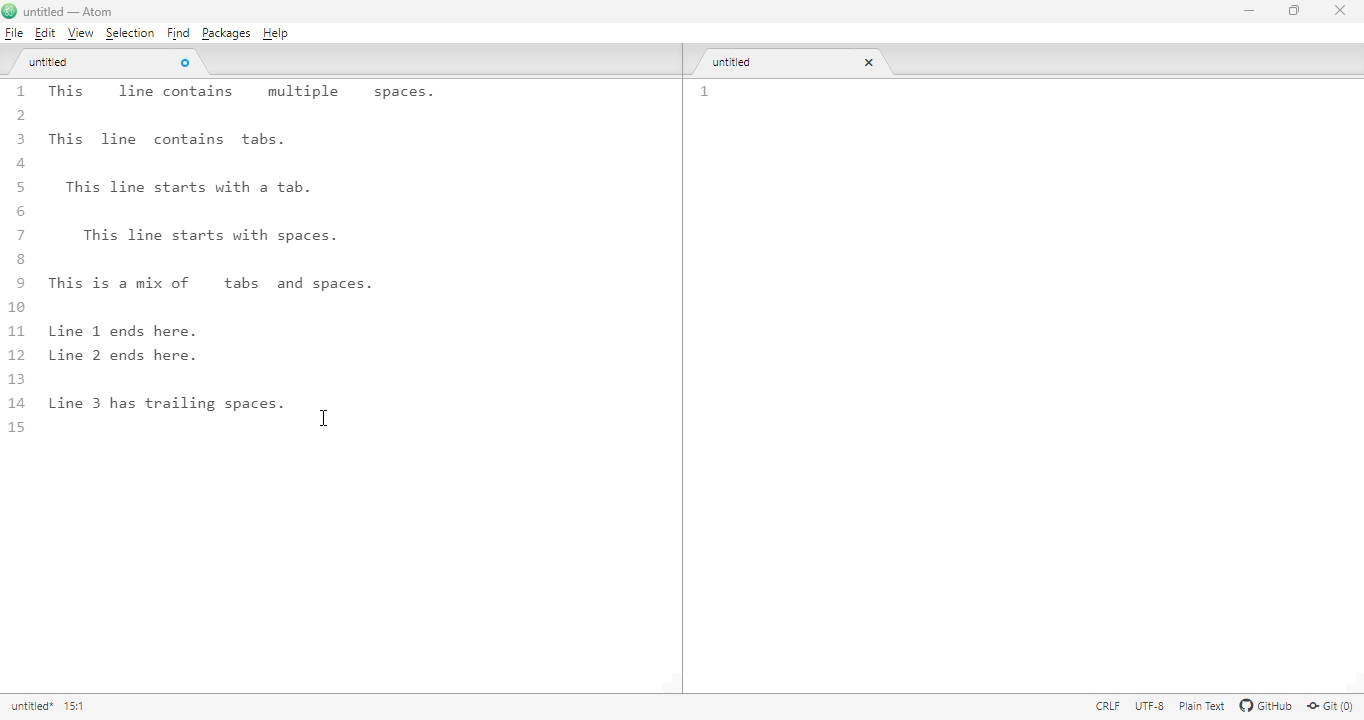 This screenshot has height=720, width=1364. Describe the element at coordinates (1149, 706) in the screenshot. I see `UTF-8` at that location.